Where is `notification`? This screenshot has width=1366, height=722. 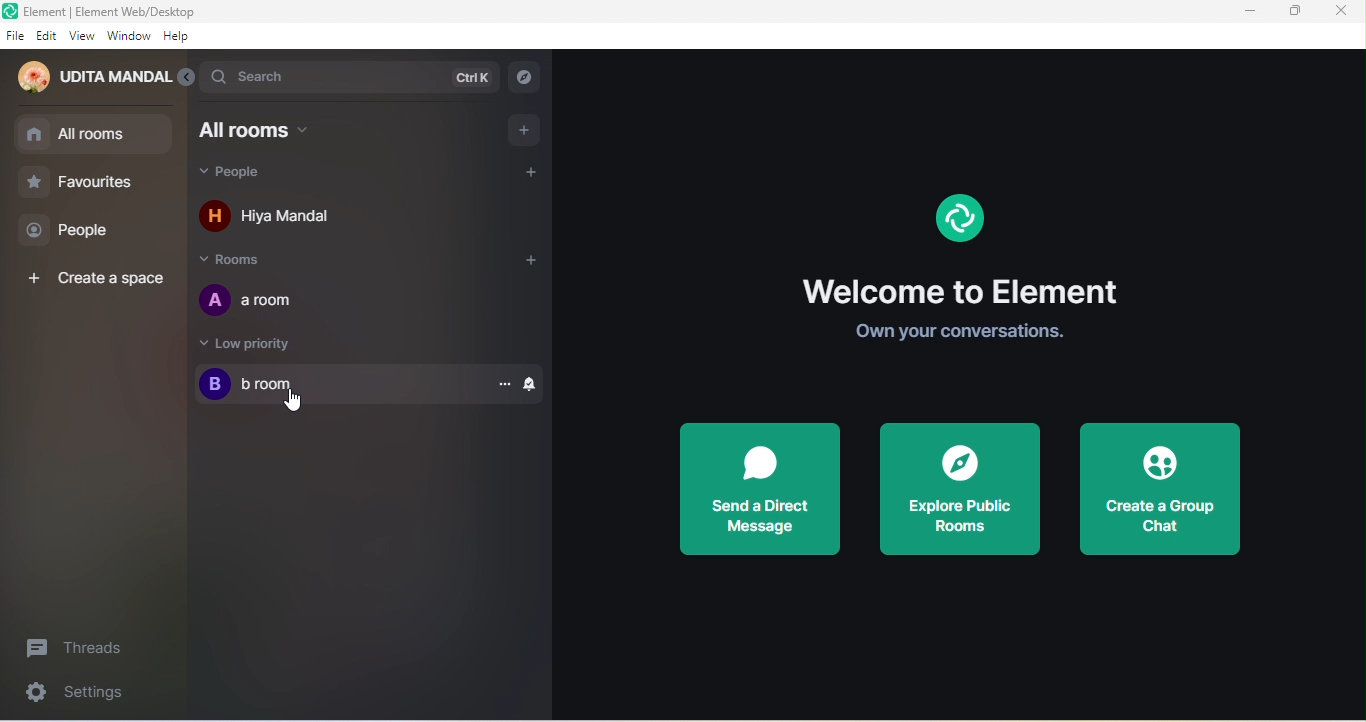 notification is located at coordinates (534, 384).